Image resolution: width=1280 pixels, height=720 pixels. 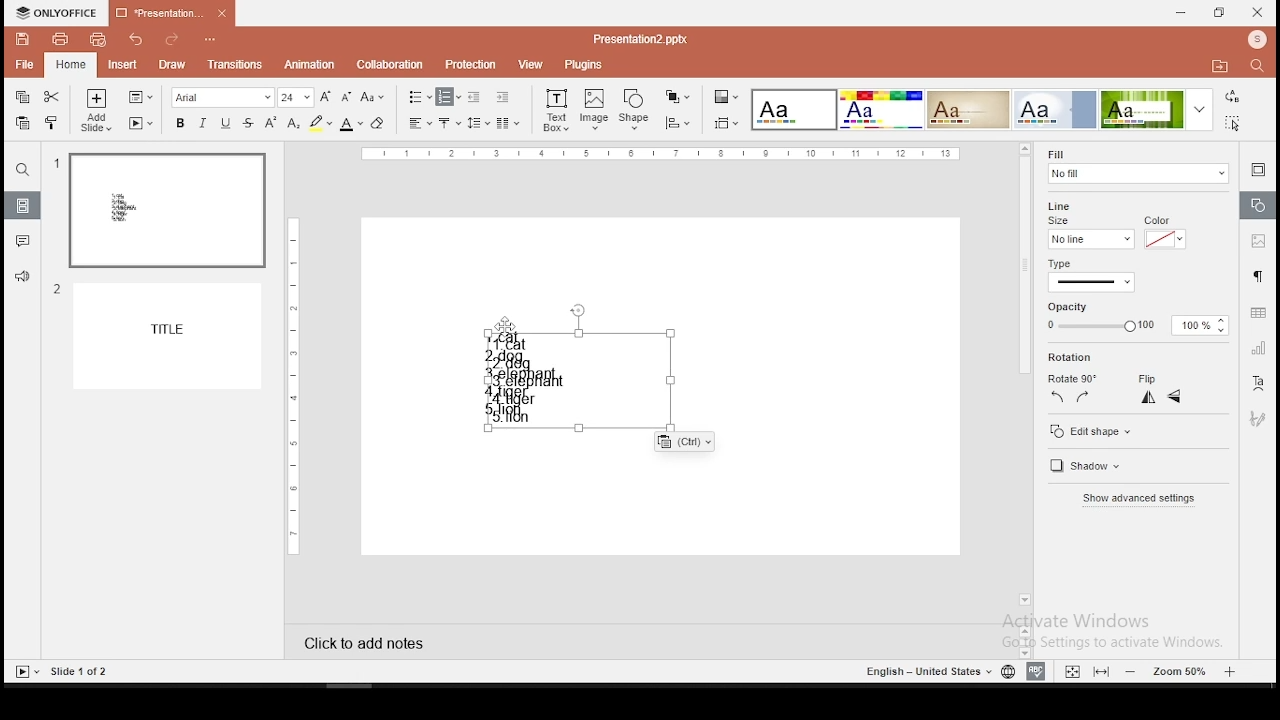 What do you see at coordinates (225, 123) in the screenshot?
I see `underline` at bounding box center [225, 123].